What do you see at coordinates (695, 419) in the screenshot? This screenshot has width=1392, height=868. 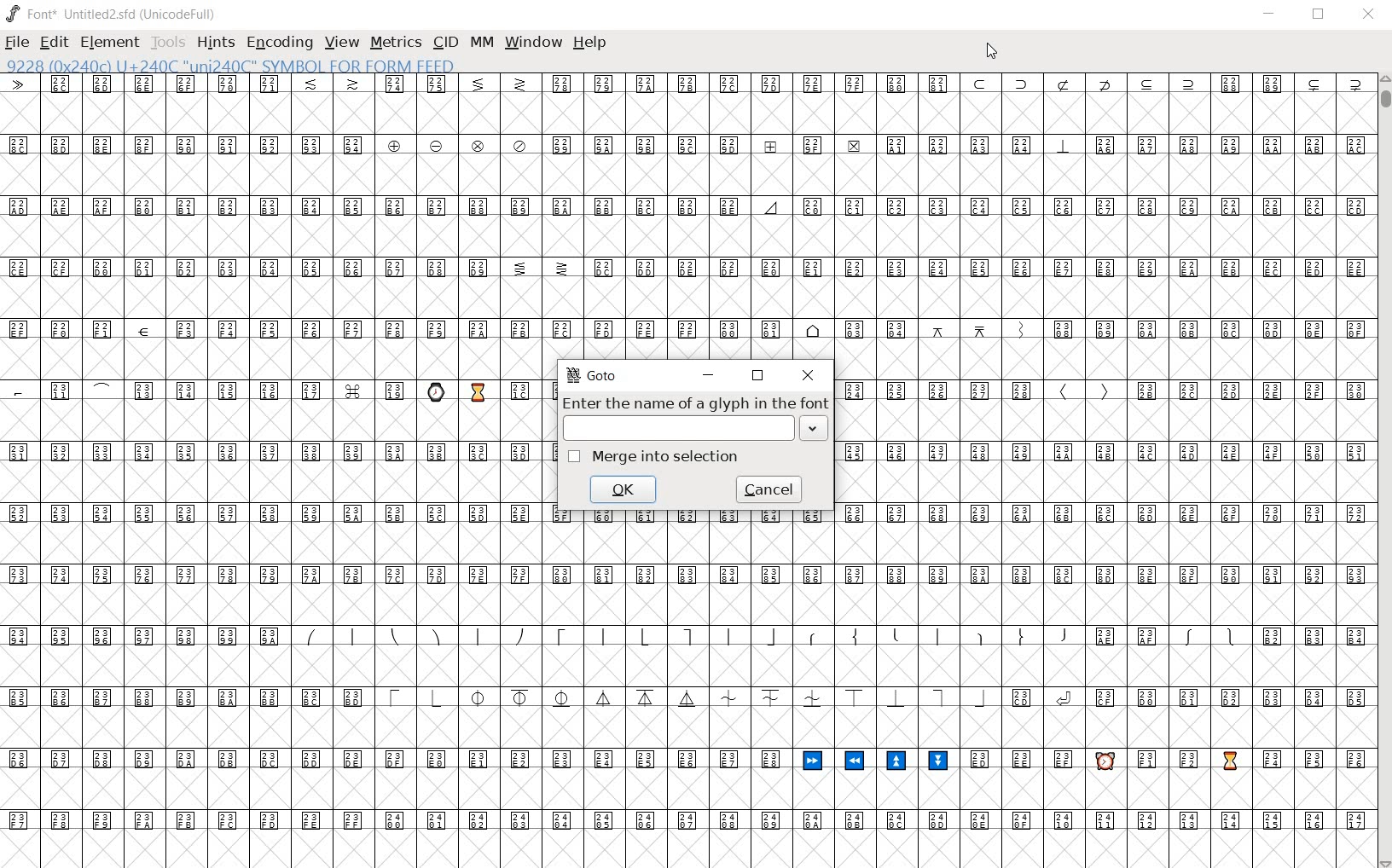 I see `Enter the name of a glyph in the font` at bounding box center [695, 419].